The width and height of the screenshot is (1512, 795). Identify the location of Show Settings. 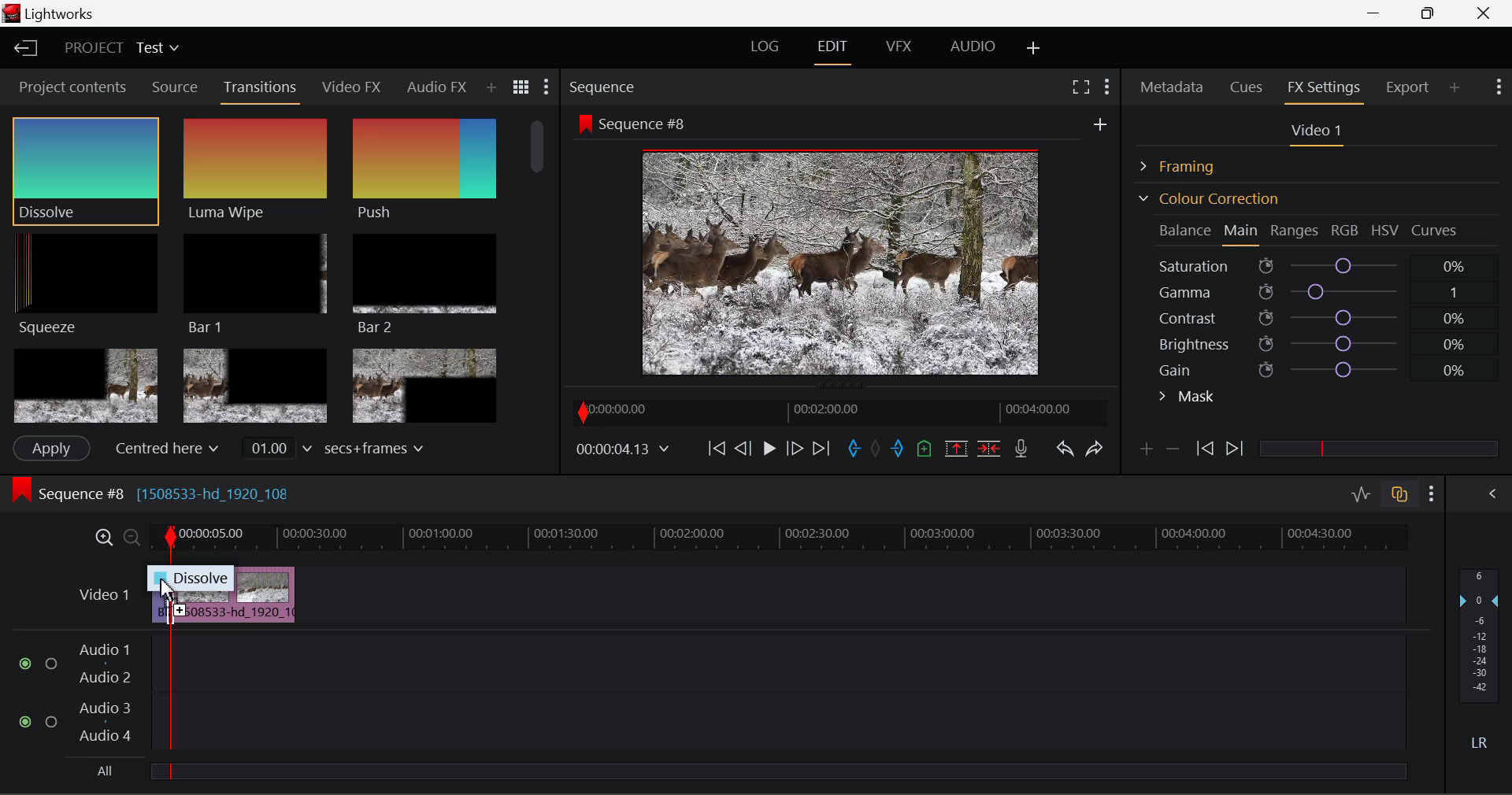
(545, 91).